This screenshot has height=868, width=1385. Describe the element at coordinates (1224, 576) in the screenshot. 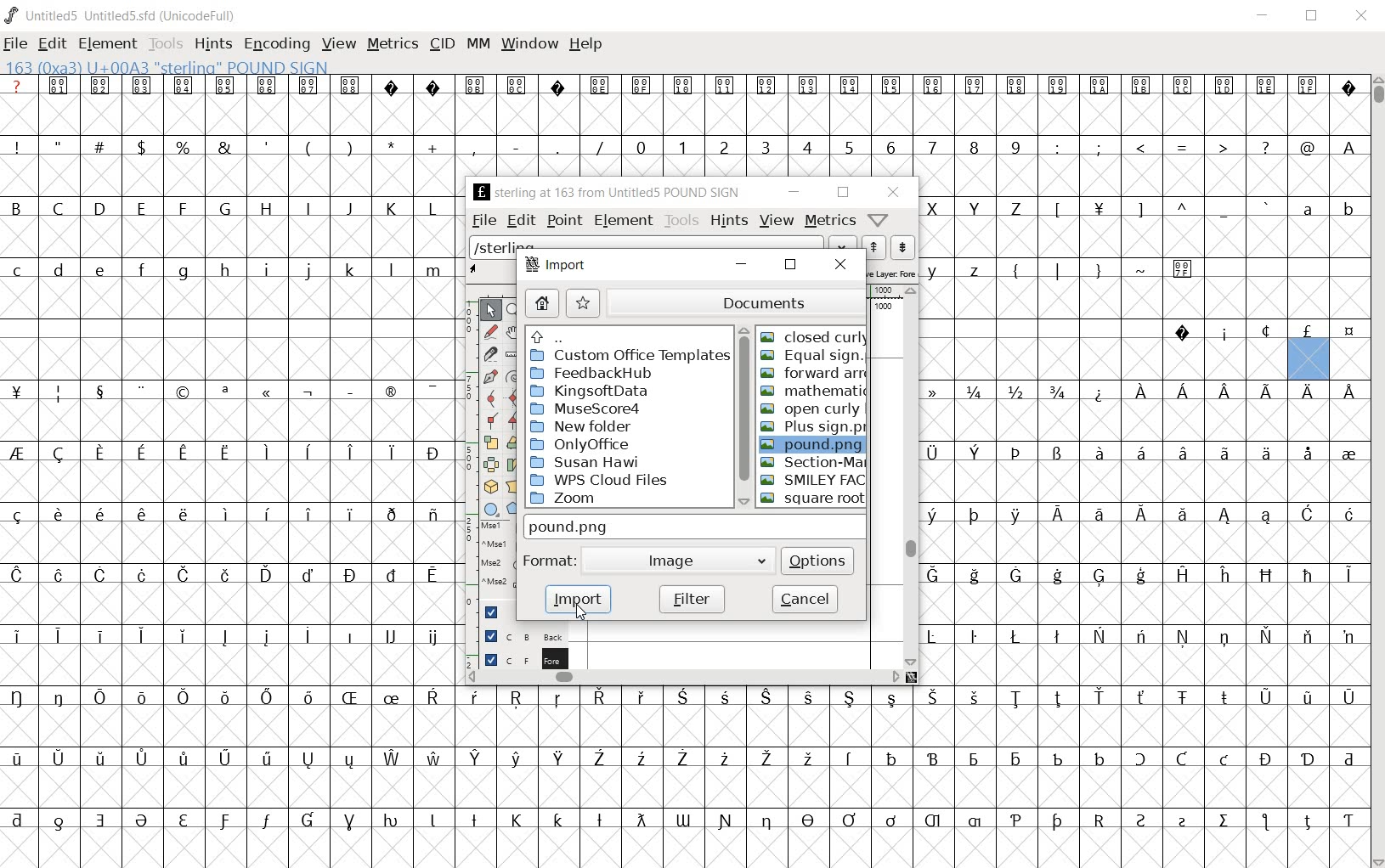

I see `Symbol` at that location.